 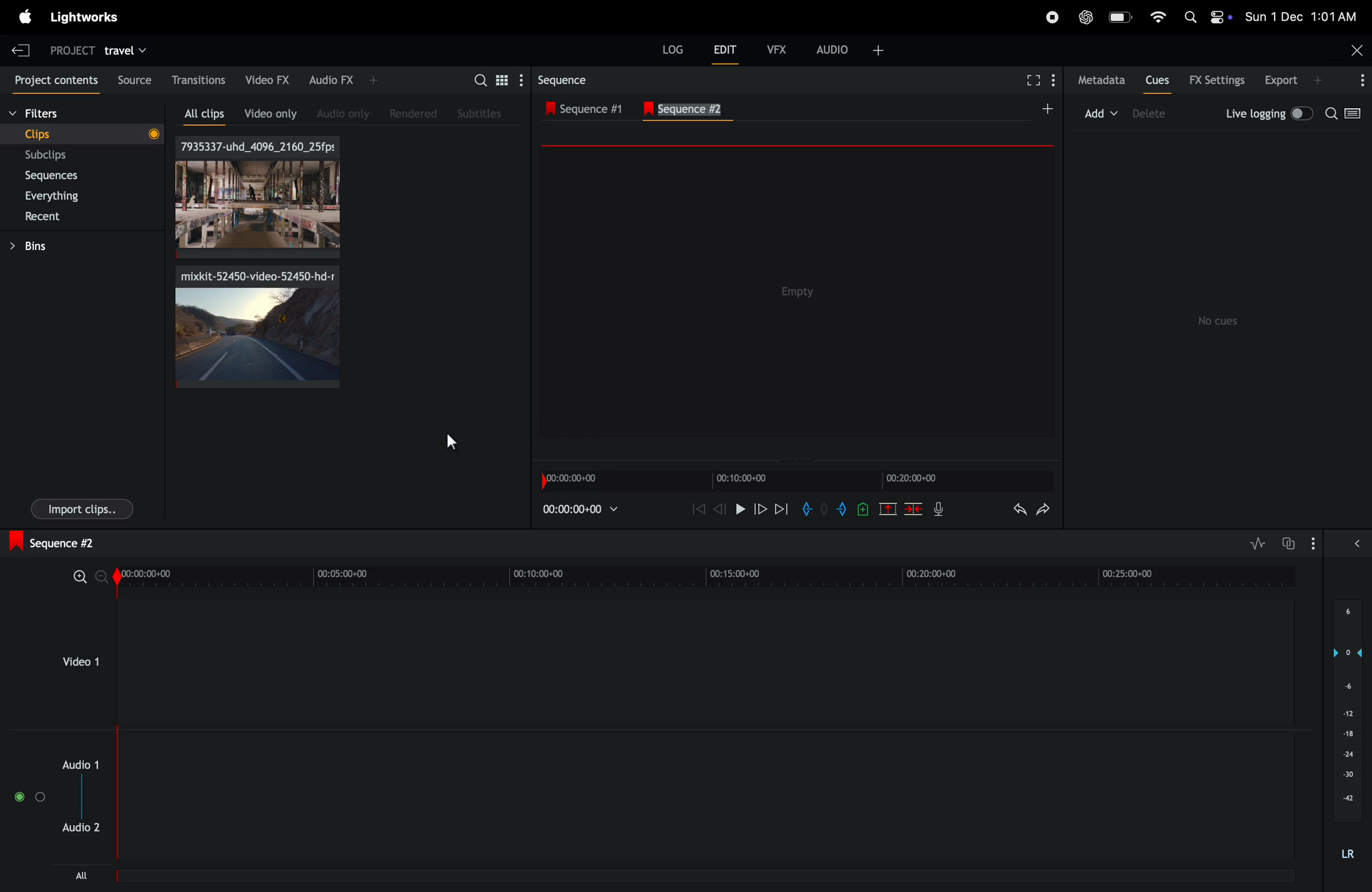 I want to click on show settings menu, so click(x=520, y=80).